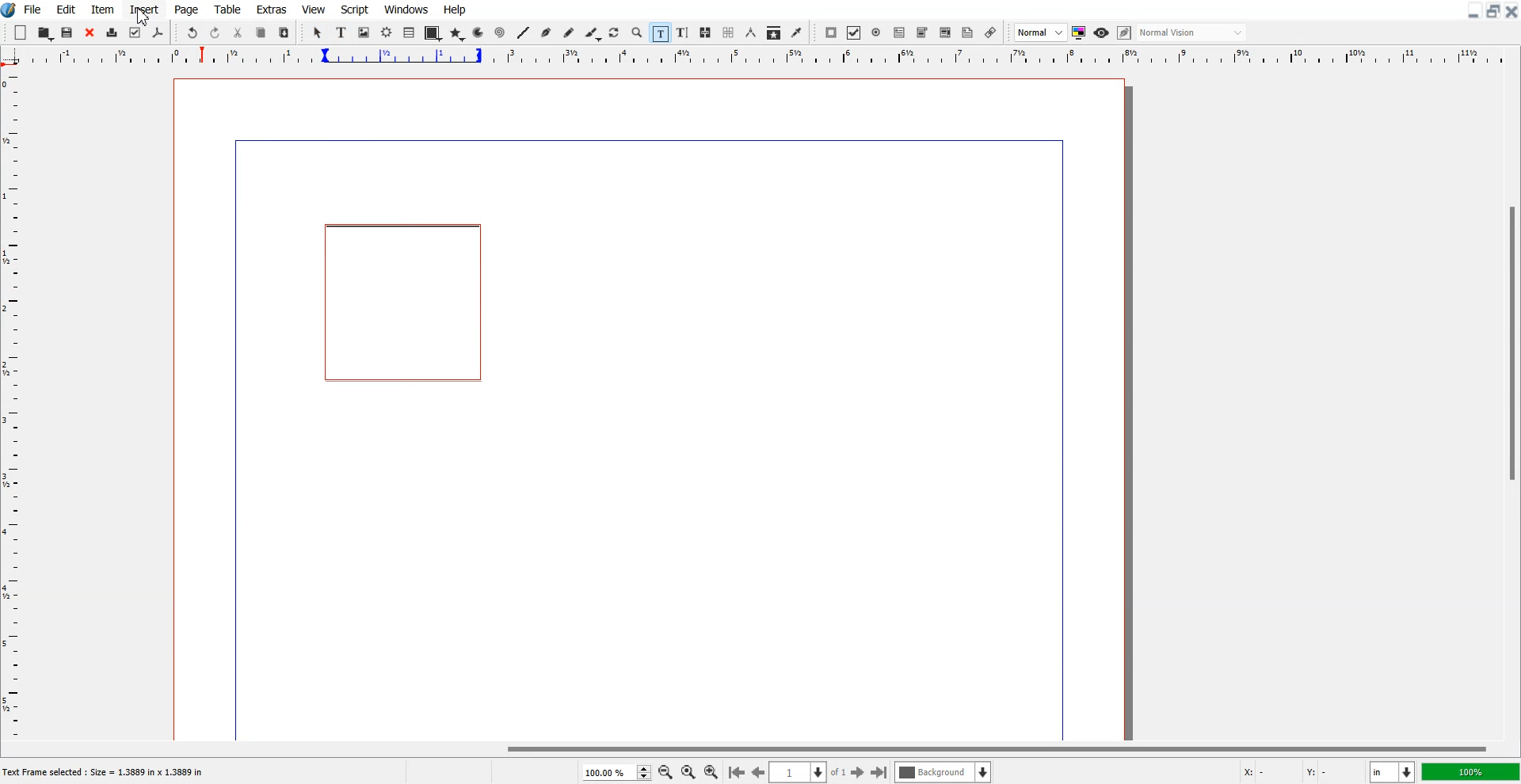 Image resolution: width=1521 pixels, height=784 pixels. Describe the element at coordinates (990, 32) in the screenshot. I see `Link Annotation` at that location.